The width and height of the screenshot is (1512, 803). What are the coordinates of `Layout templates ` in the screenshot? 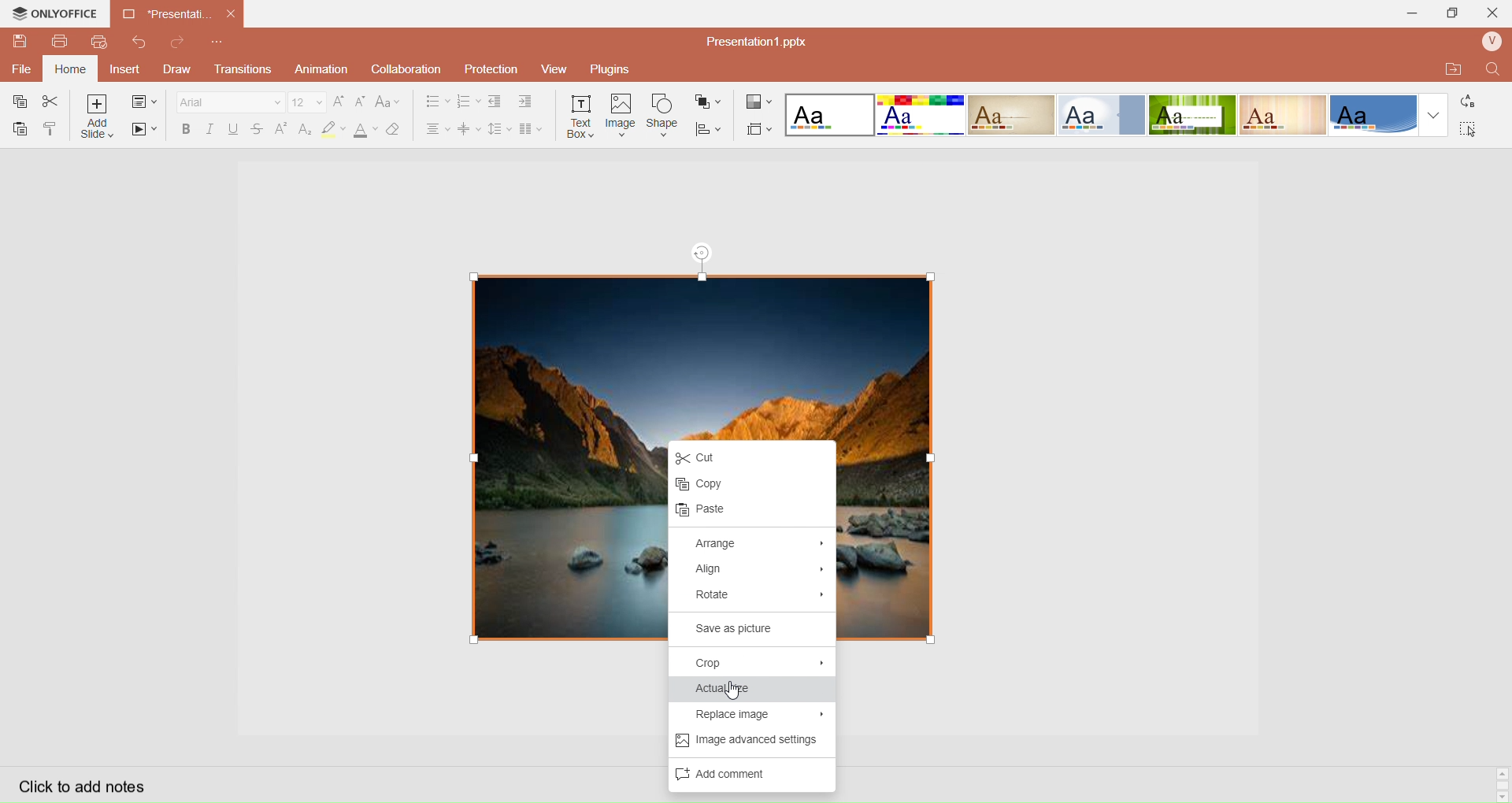 It's located at (1118, 115).